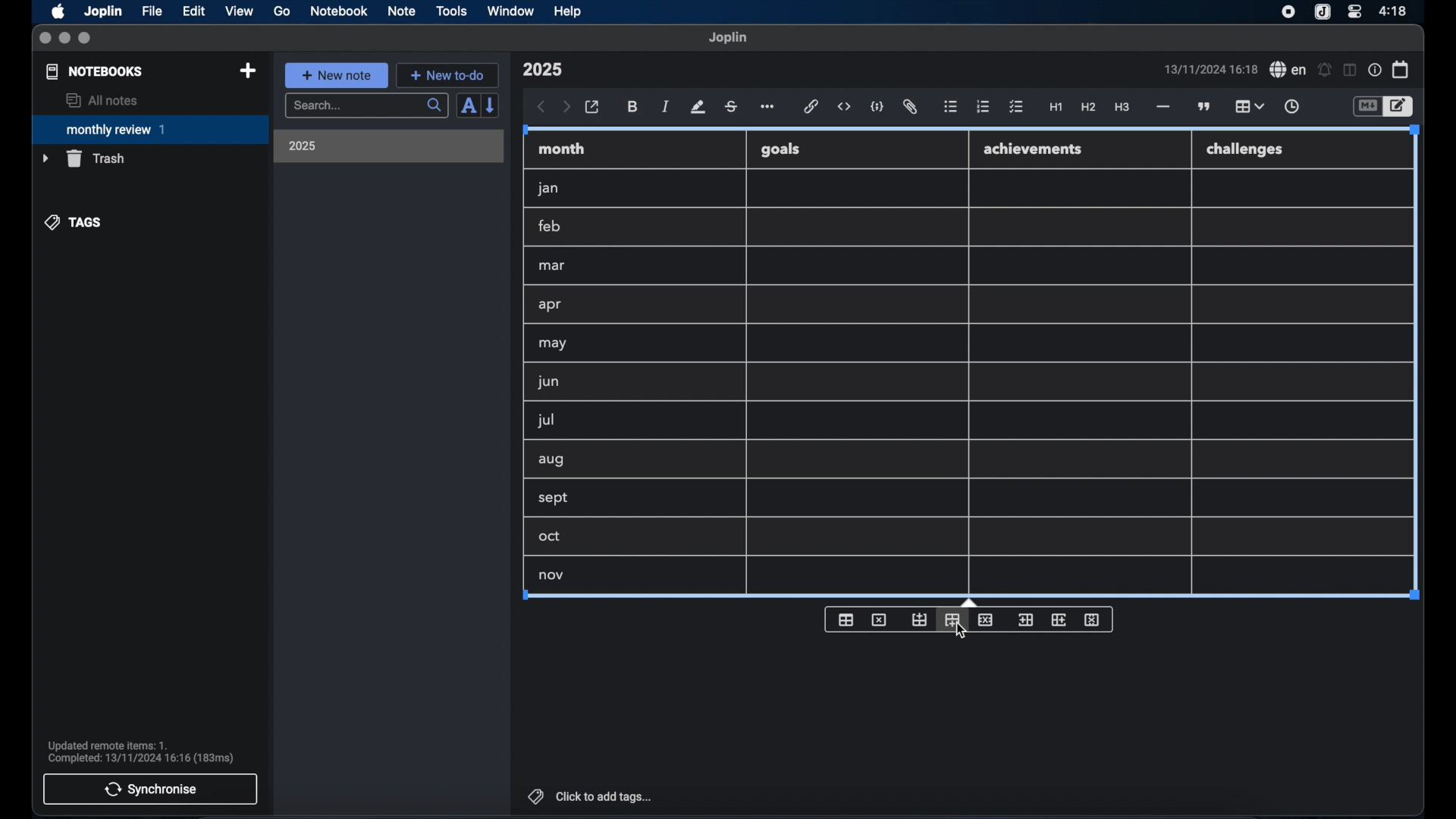 This screenshot has height=819, width=1456. What do you see at coordinates (150, 128) in the screenshot?
I see `monthly review` at bounding box center [150, 128].